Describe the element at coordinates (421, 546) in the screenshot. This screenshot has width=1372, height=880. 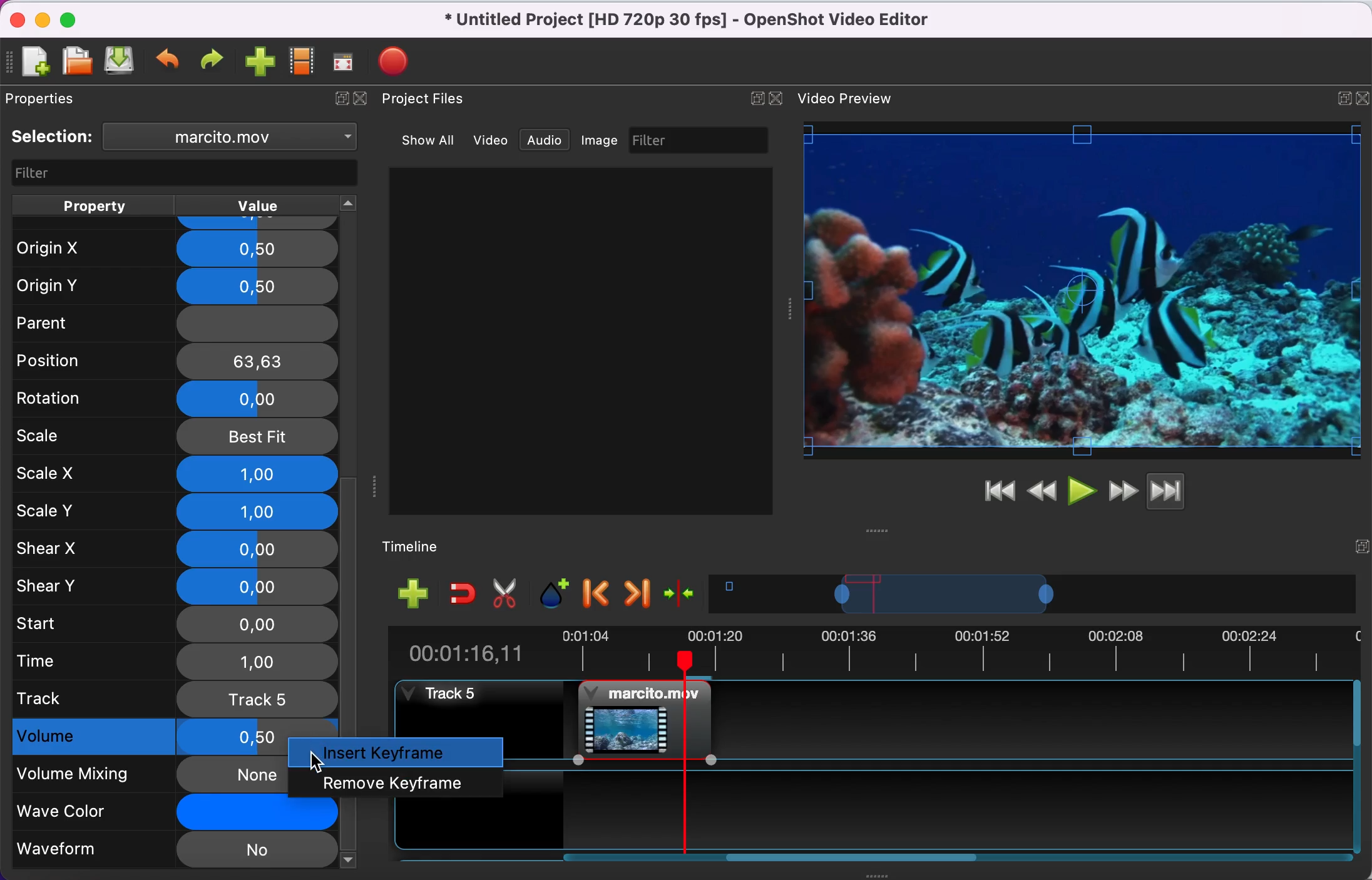
I see `timelime` at that location.